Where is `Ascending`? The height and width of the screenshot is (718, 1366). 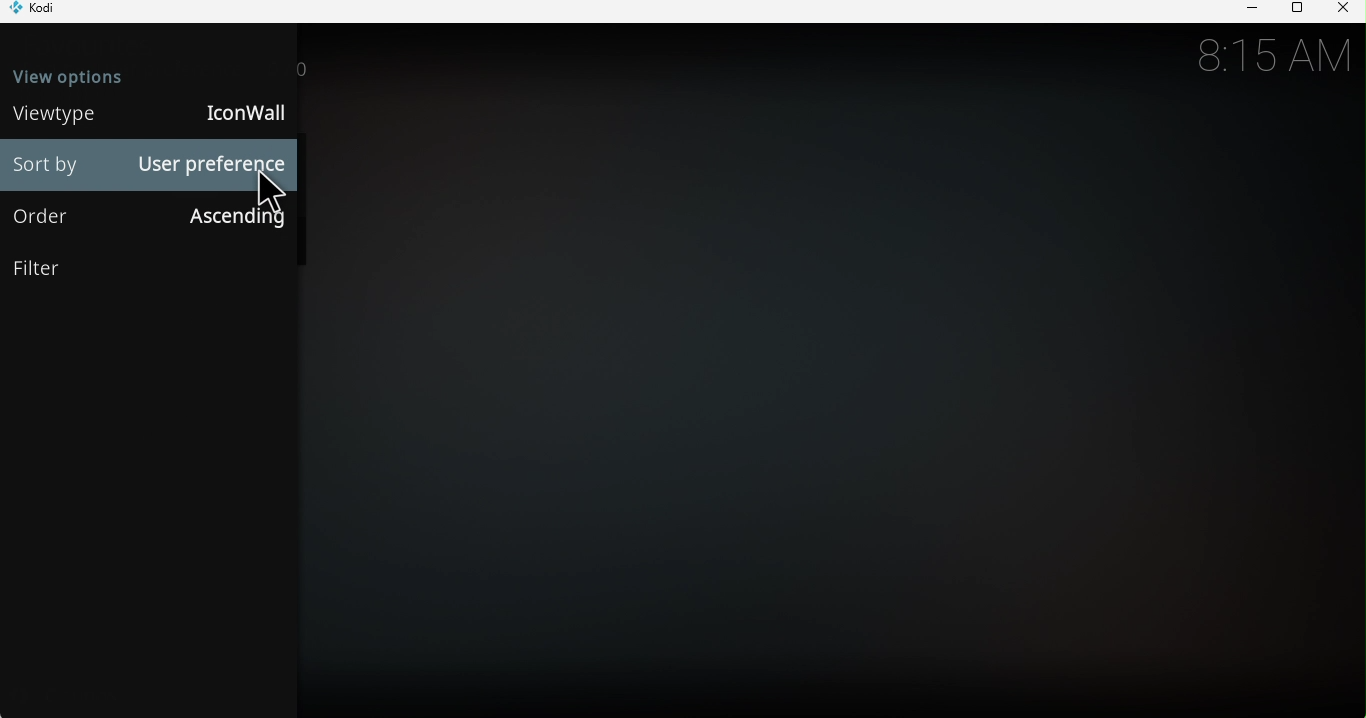 Ascending is located at coordinates (236, 219).